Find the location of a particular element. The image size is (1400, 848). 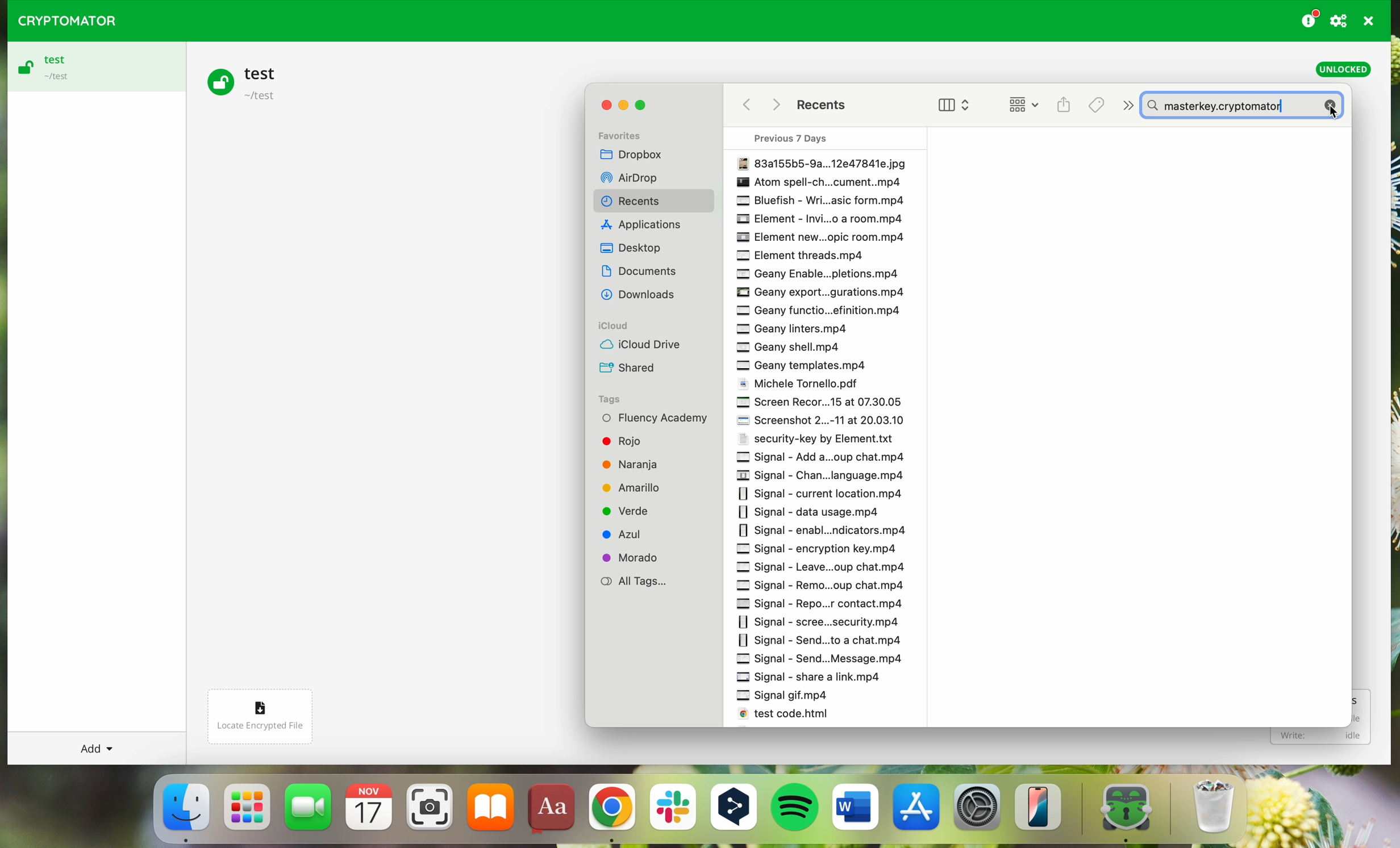

Geany export is located at coordinates (826, 293).